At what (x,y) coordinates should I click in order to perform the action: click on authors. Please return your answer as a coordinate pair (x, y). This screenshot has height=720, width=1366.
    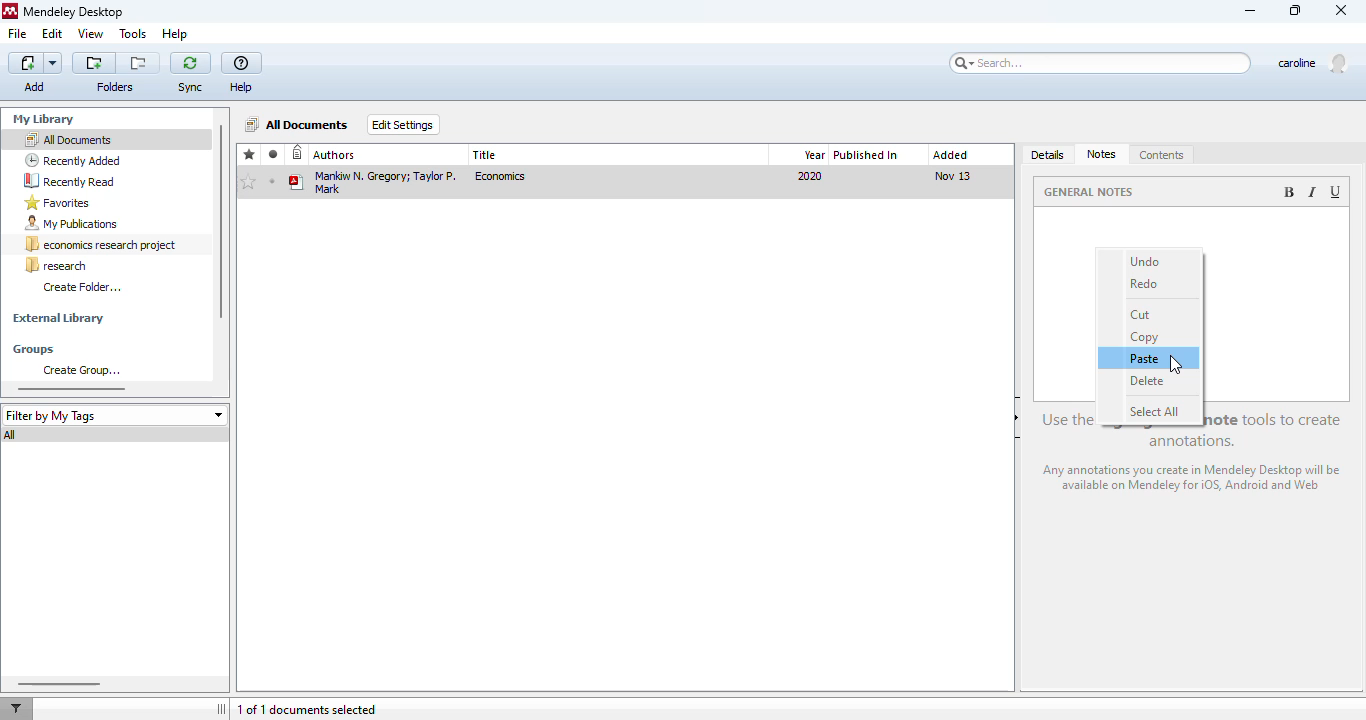
    Looking at the image, I should click on (335, 155).